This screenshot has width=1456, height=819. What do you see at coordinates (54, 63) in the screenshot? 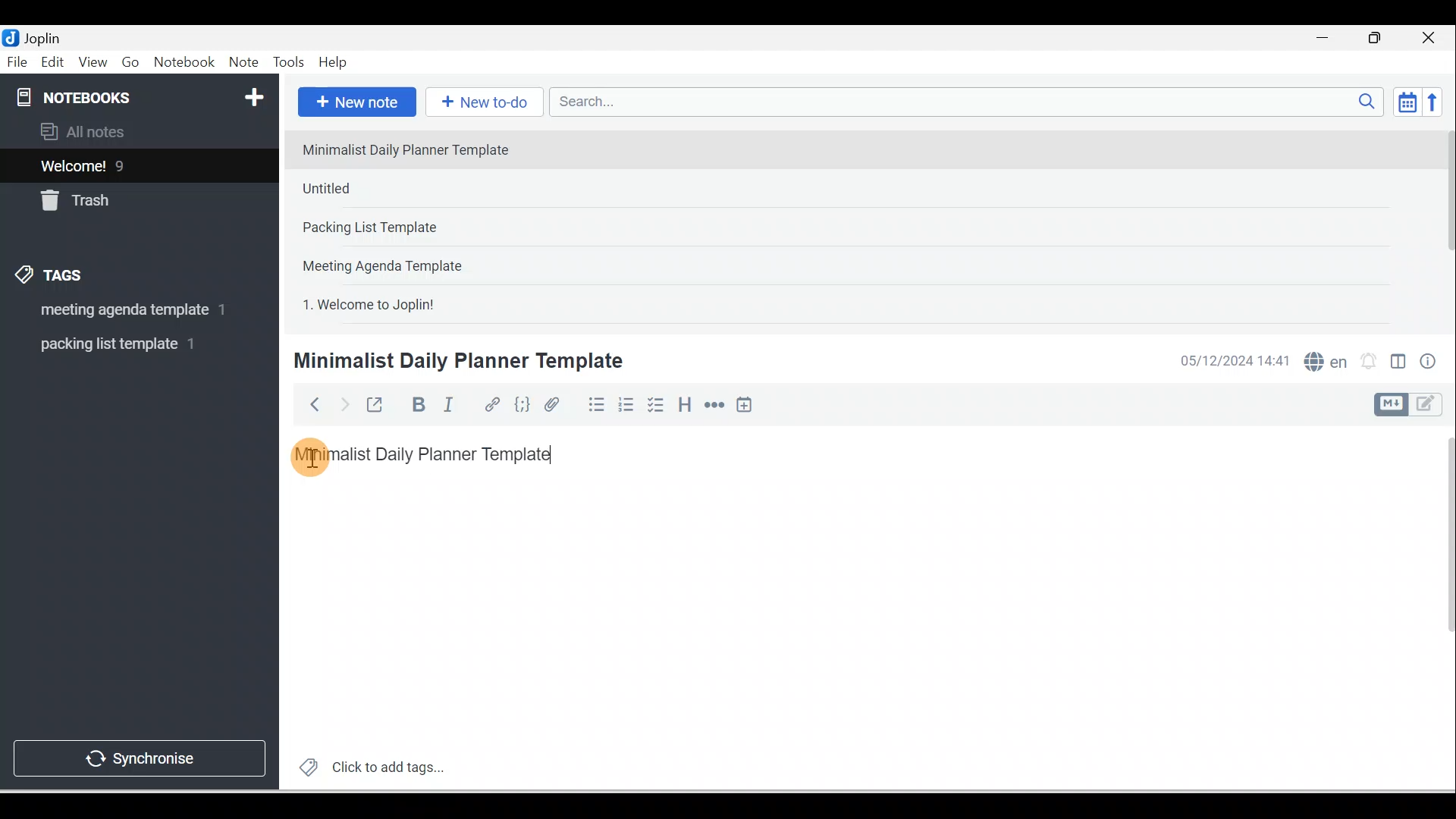
I see `Edit` at bounding box center [54, 63].